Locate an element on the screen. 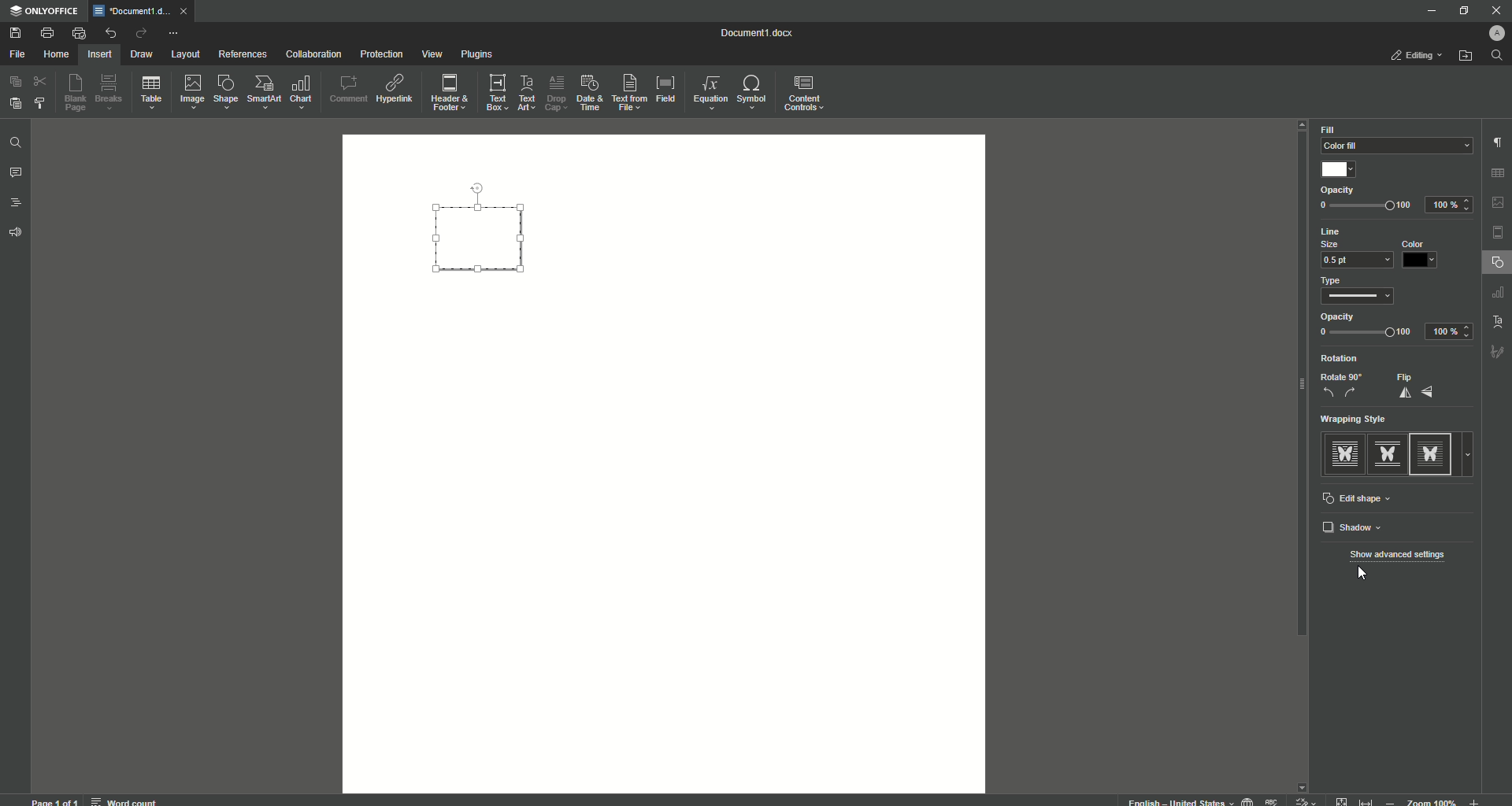 The image size is (1512, 806). Editing is located at coordinates (1419, 55).